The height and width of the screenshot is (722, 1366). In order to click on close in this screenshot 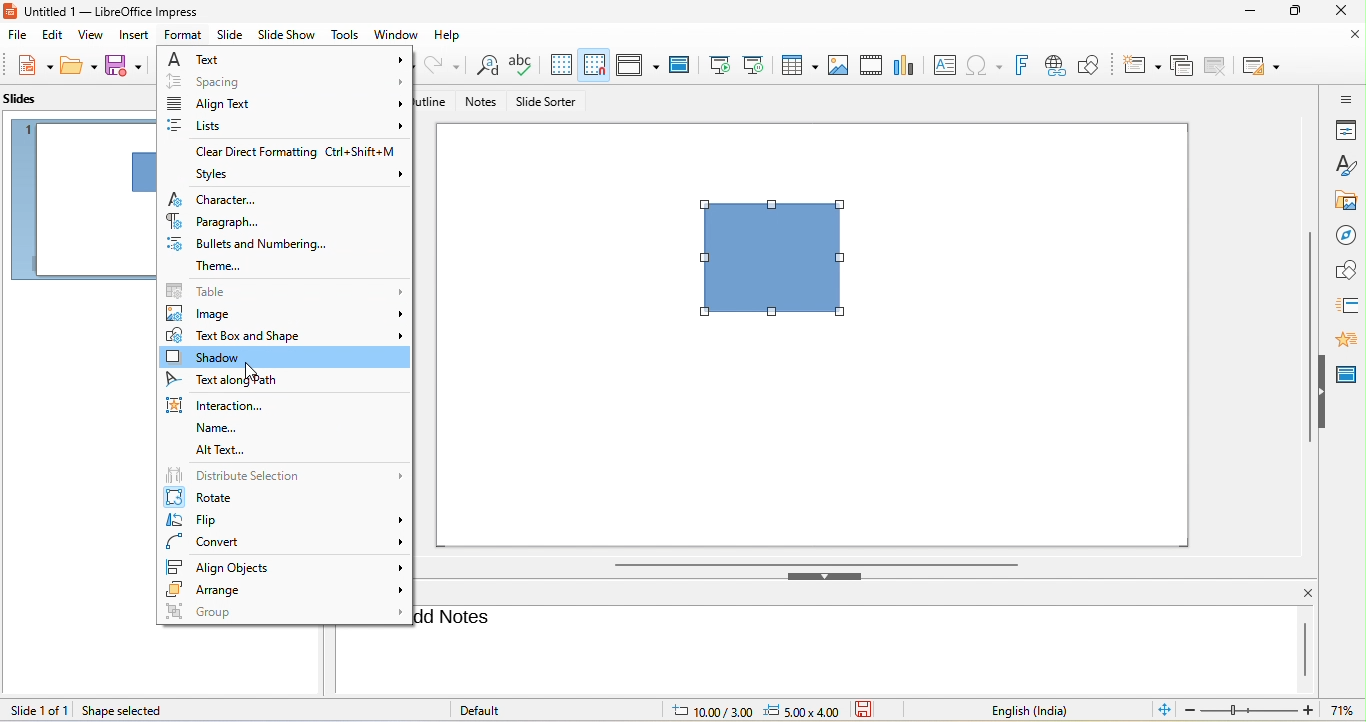, I will do `click(1345, 39)`.